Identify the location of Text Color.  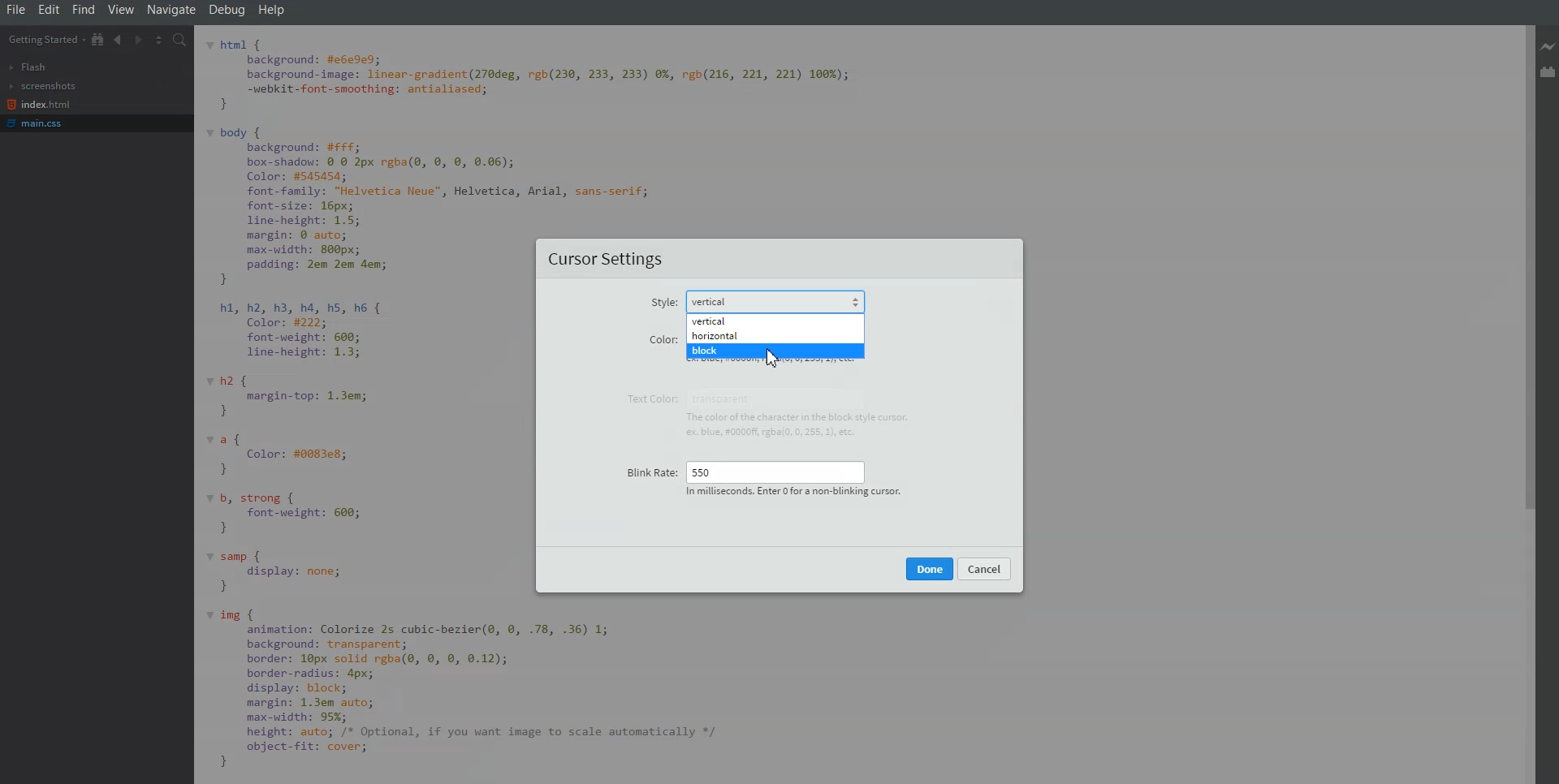
(648, 398).